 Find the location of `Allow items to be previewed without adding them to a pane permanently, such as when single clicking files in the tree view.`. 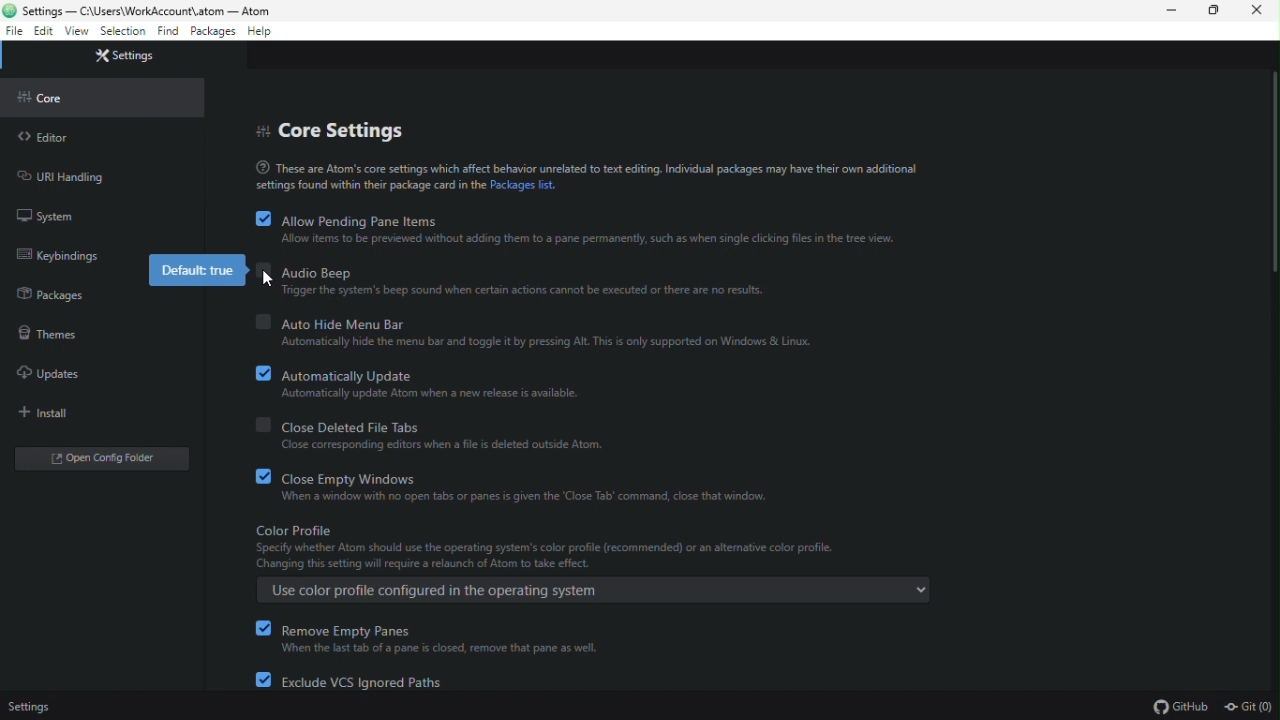

Allow items to be previewed without adding them to a pane permanently, such as when single clicking files in the tree view. is located at coordinates (577, 241).